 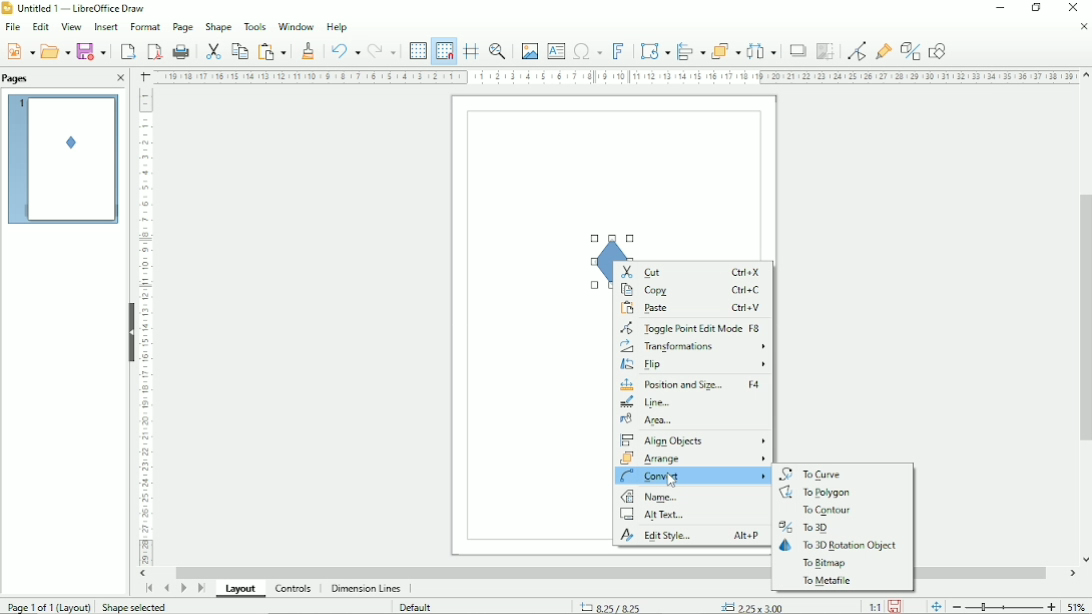 I want to click on To bitmap, so click(x=824, y=564).